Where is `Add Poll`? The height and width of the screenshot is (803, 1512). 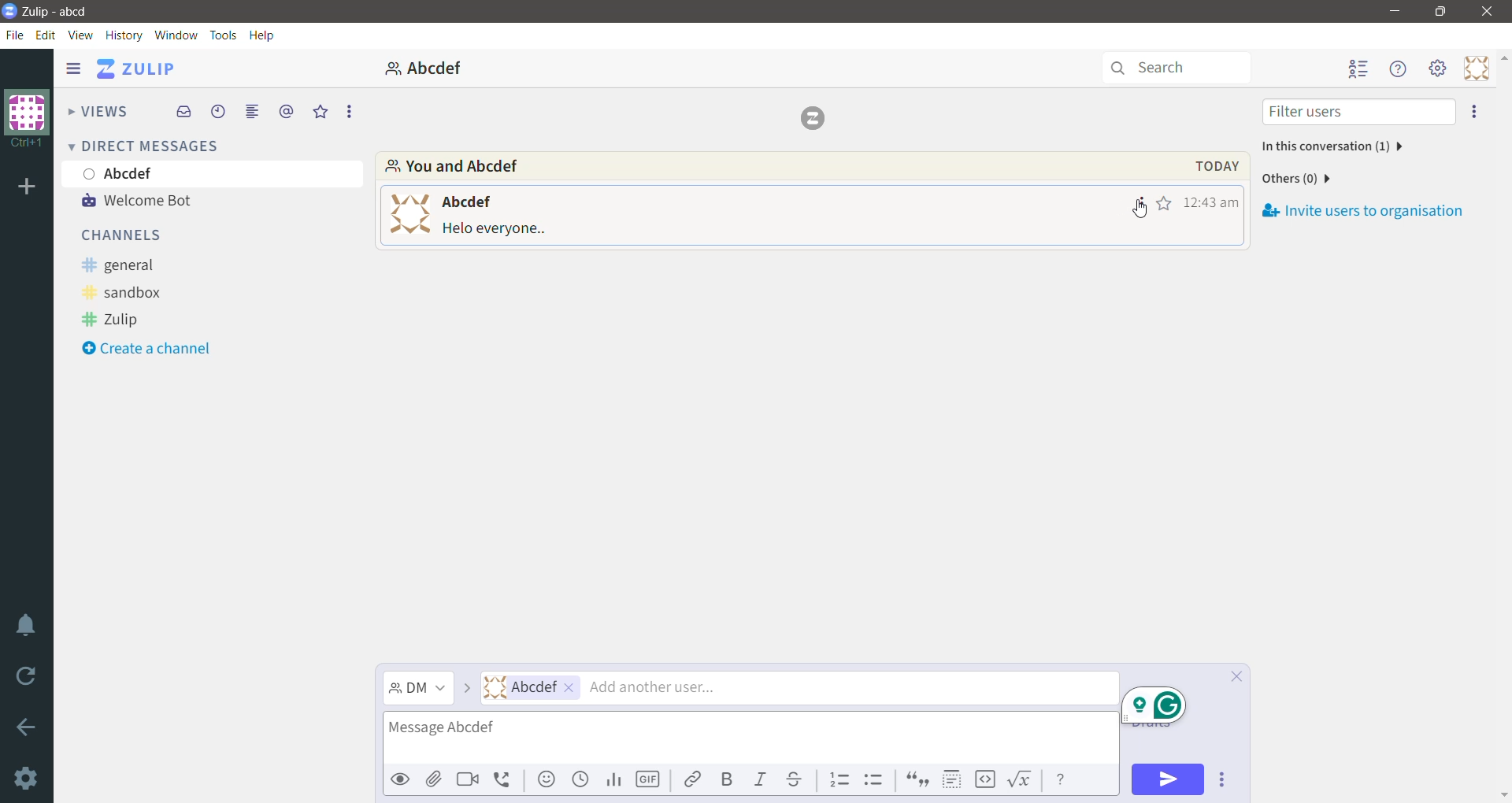 Add Poll is located at coordinates (615, 780).